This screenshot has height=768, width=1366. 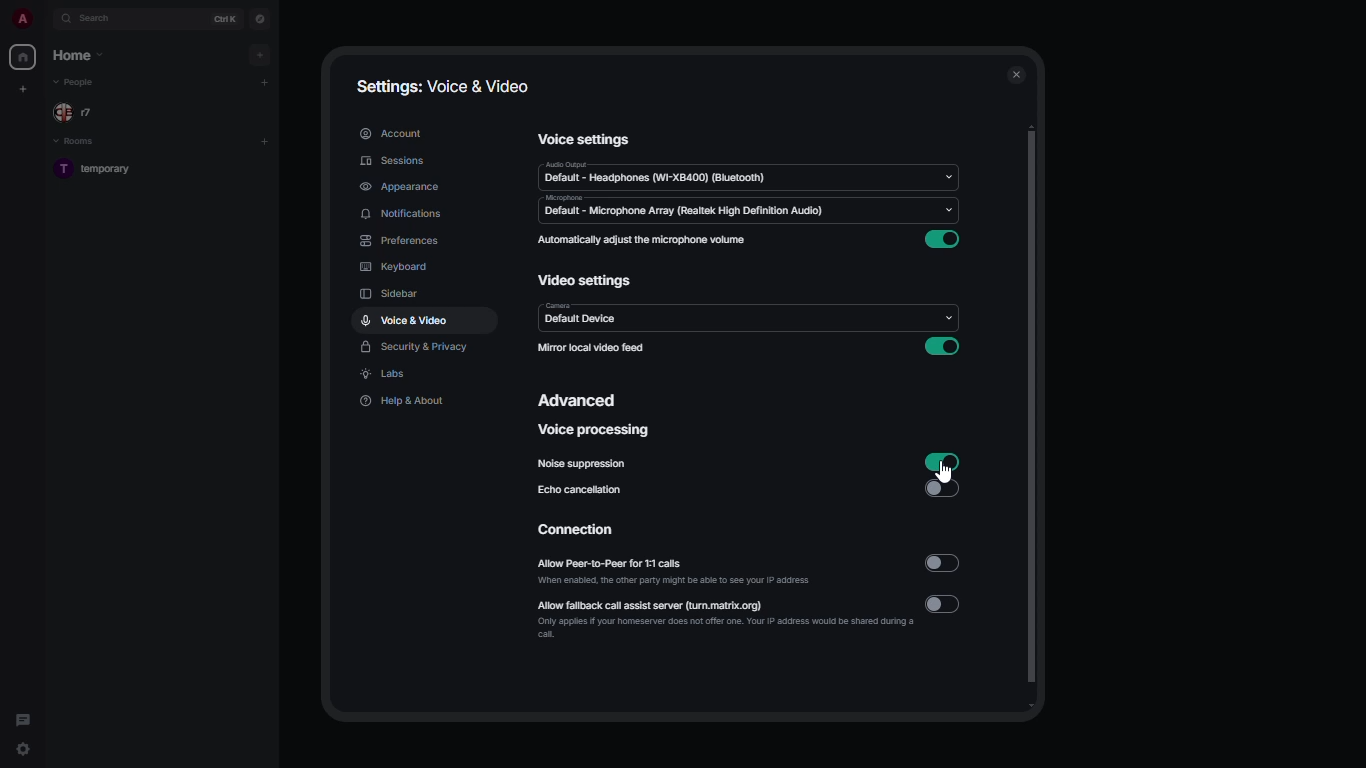 I want to click on threads, so click(x=23, y=716).